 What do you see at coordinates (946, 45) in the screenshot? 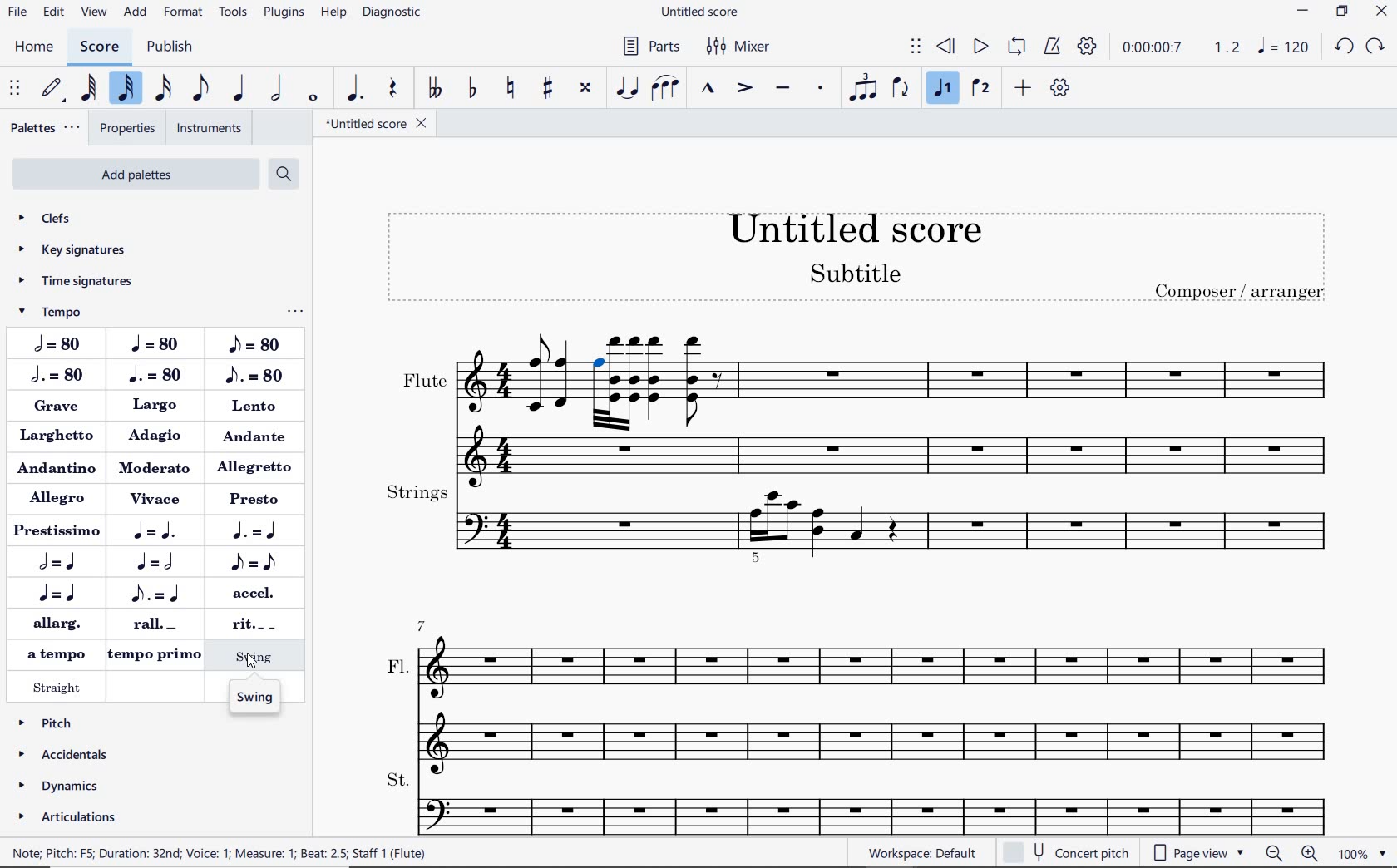
I see `REWIND` at bounding box center [946, 45].